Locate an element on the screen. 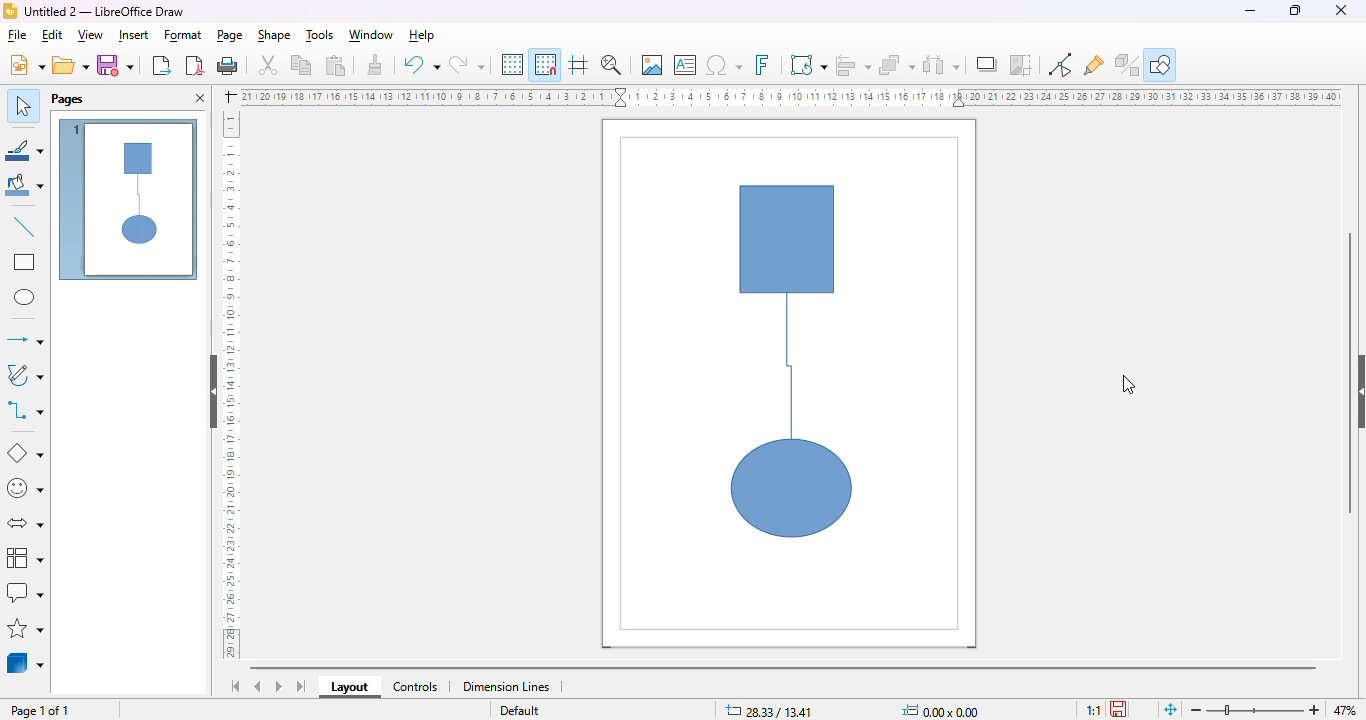  redo is located at coordinates (466, 66).